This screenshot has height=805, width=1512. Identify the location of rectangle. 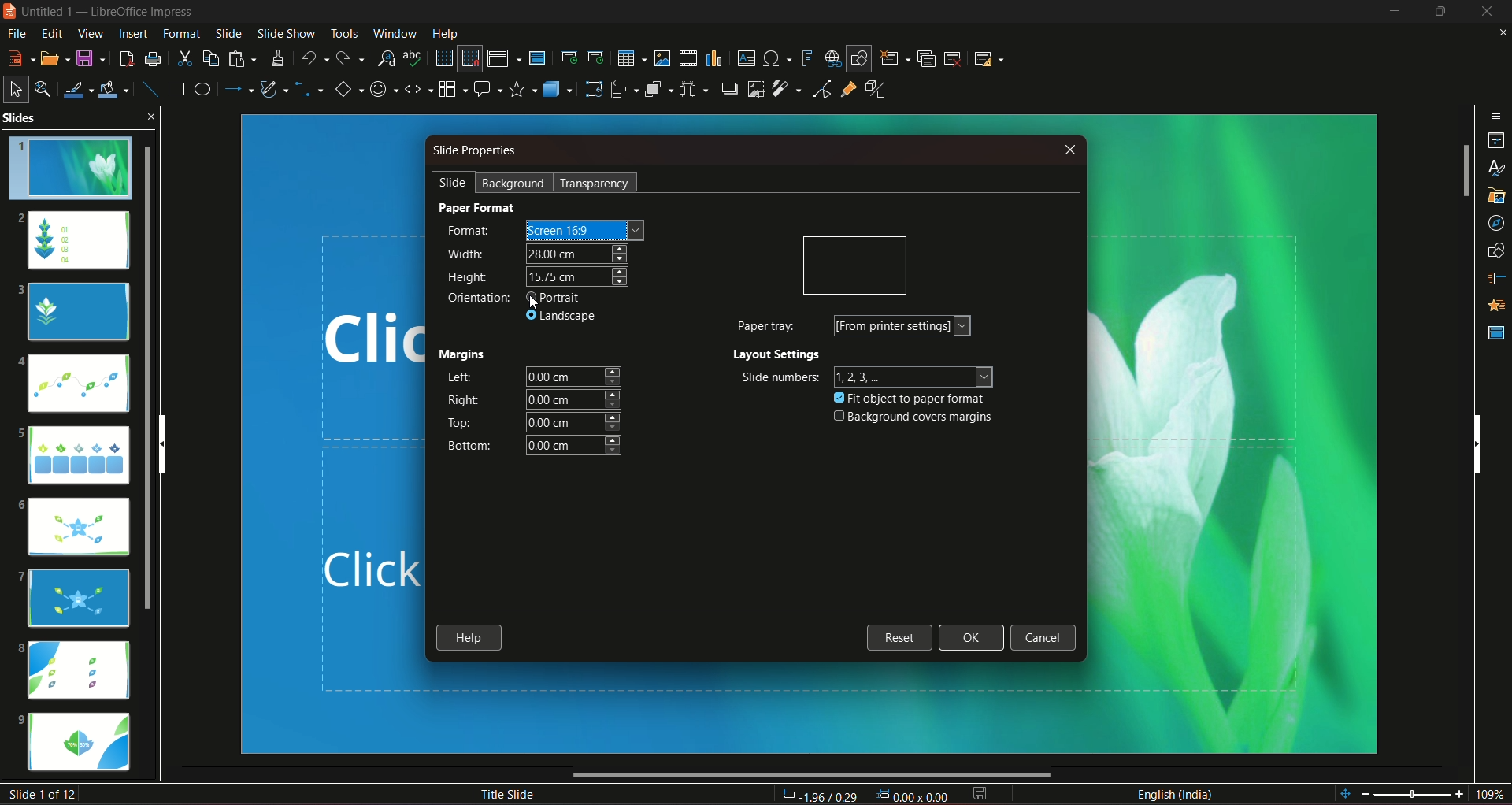
(174, 90).